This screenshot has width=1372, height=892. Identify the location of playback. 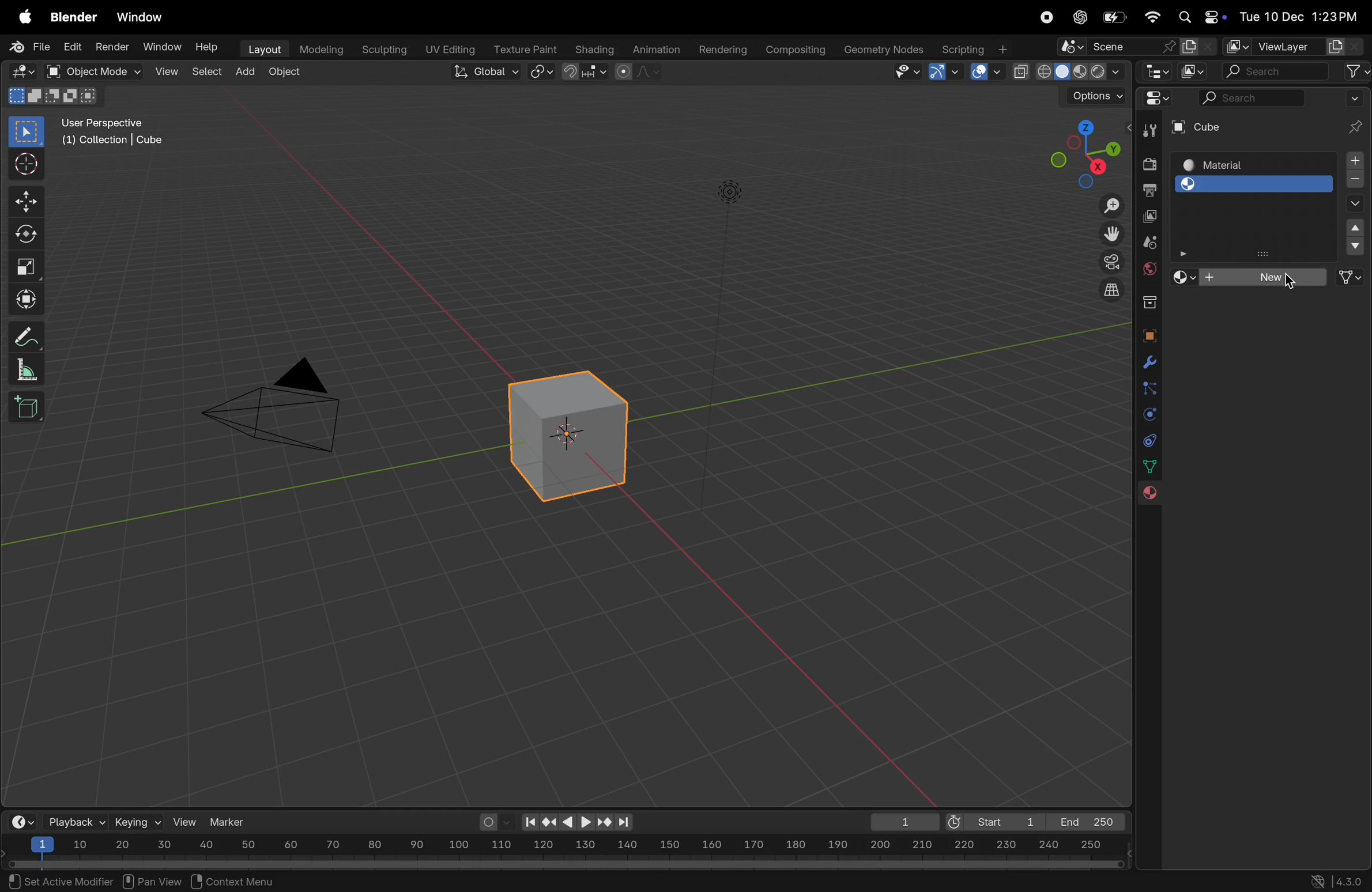
(74, 821).